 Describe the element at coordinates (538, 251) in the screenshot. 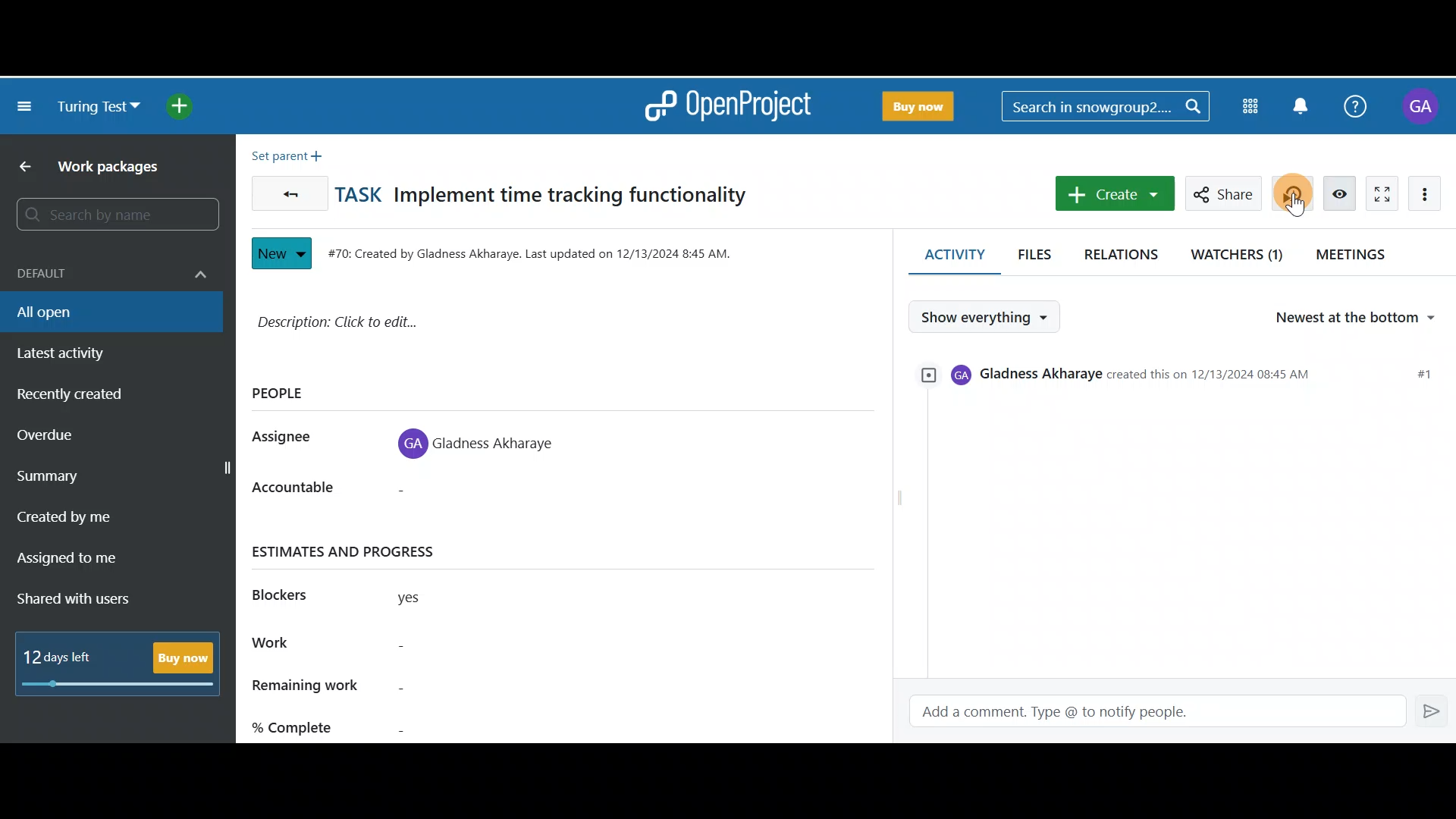

I see `#70: Created by Gladness Akharaye. Last updated on 12/13/2024 8:45 AM.` at that location.